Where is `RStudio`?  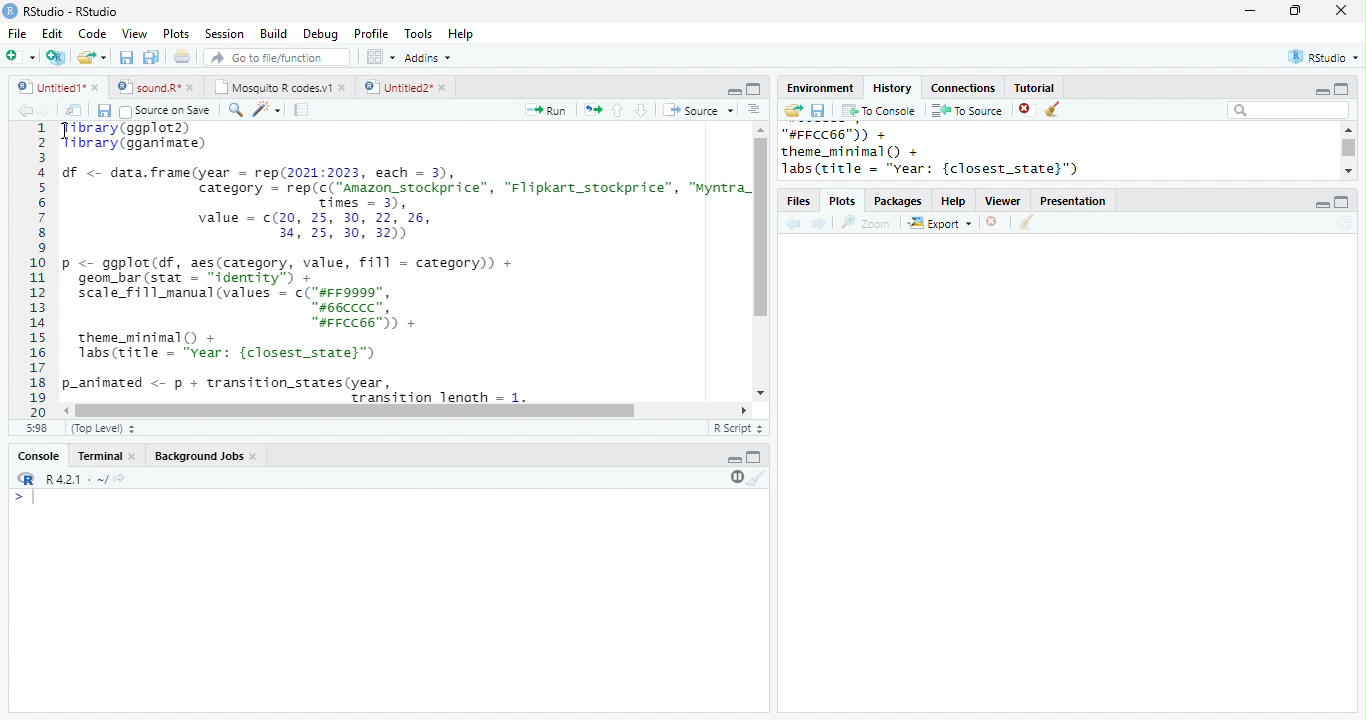 RStudio is located at coordinates (1324, 56).